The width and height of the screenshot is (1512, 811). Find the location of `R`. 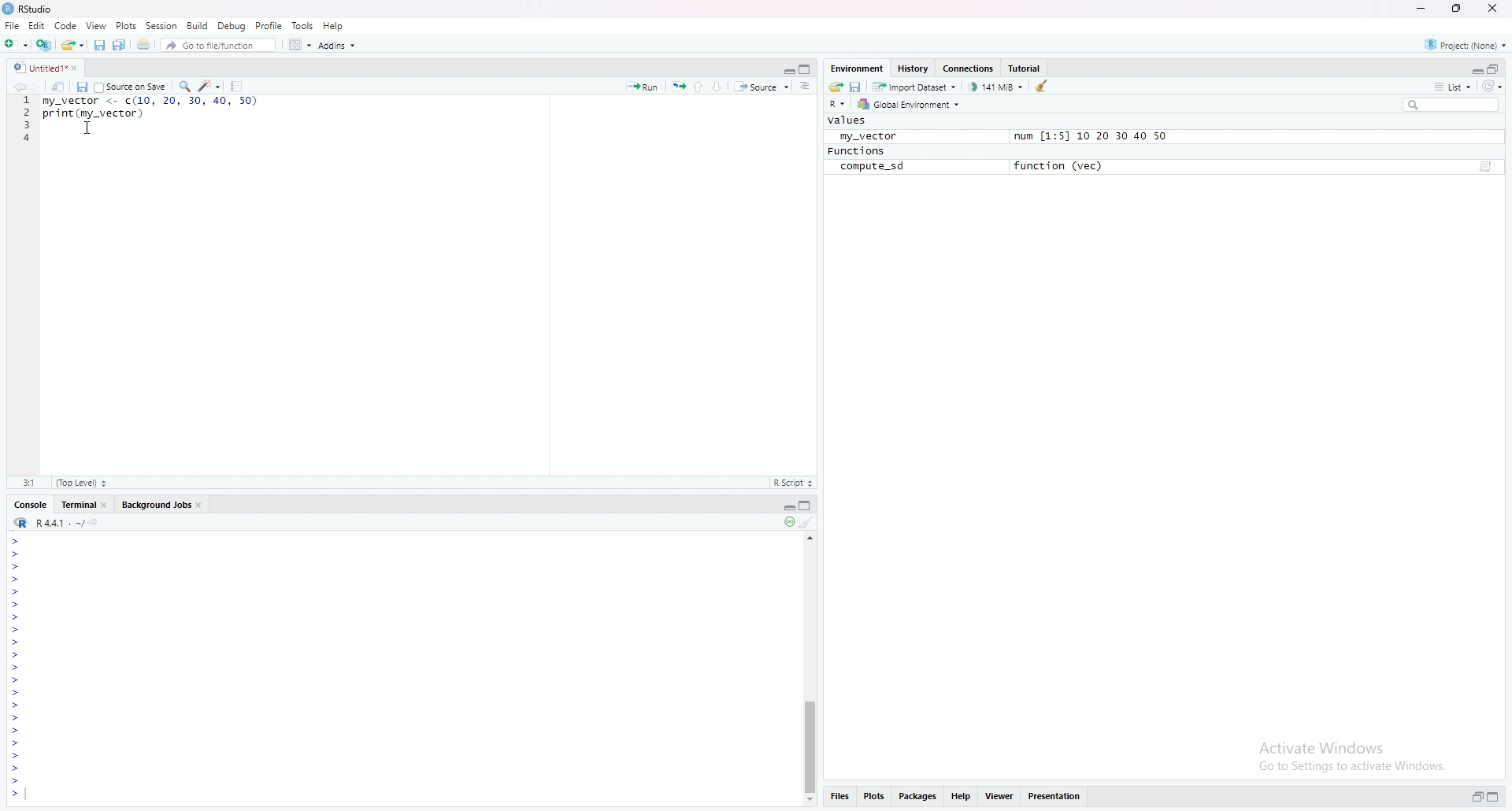

R is located at coordinates (838, 105).